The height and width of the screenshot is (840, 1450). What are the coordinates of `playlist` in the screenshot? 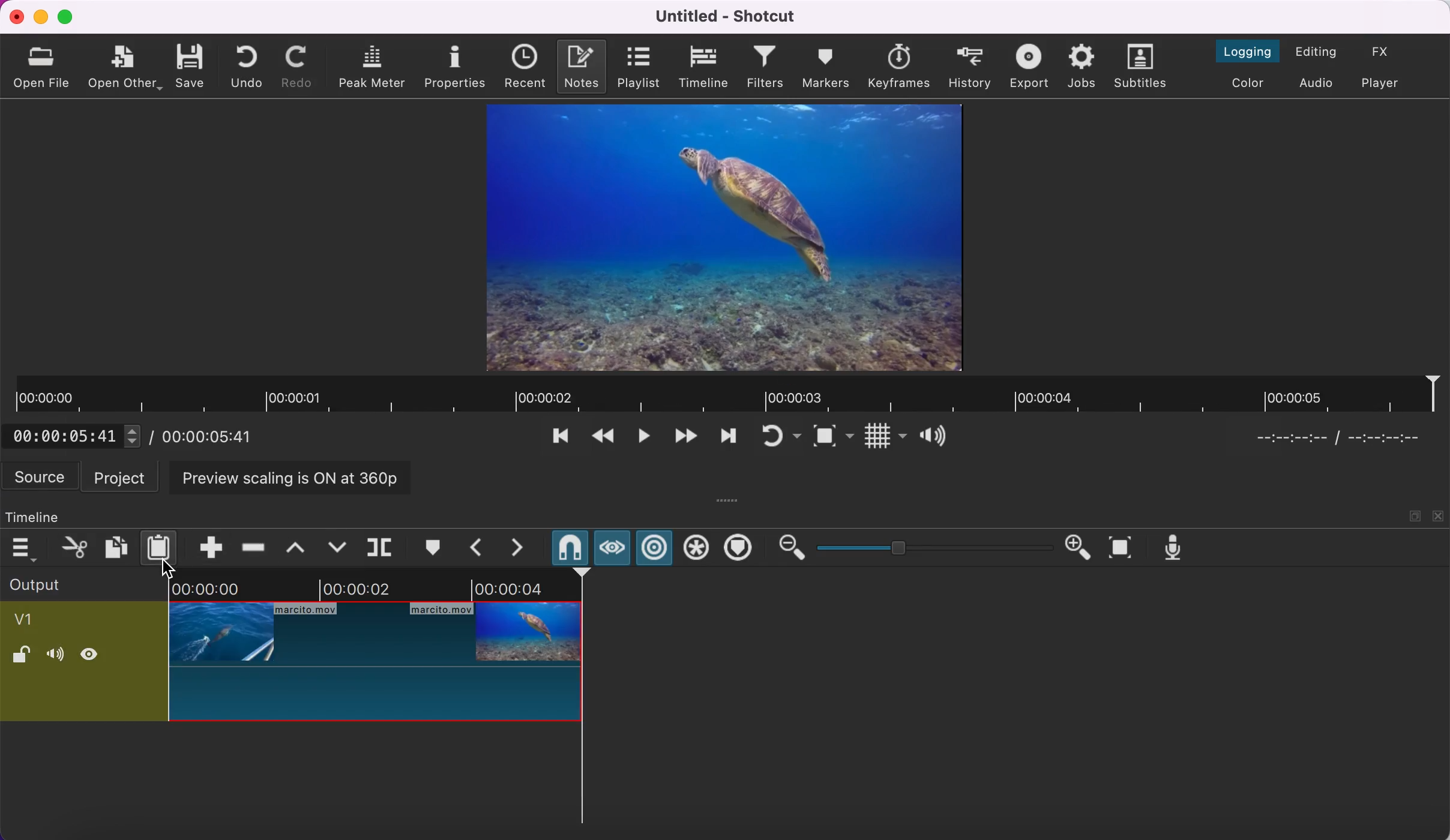 It's located at (640, 68).